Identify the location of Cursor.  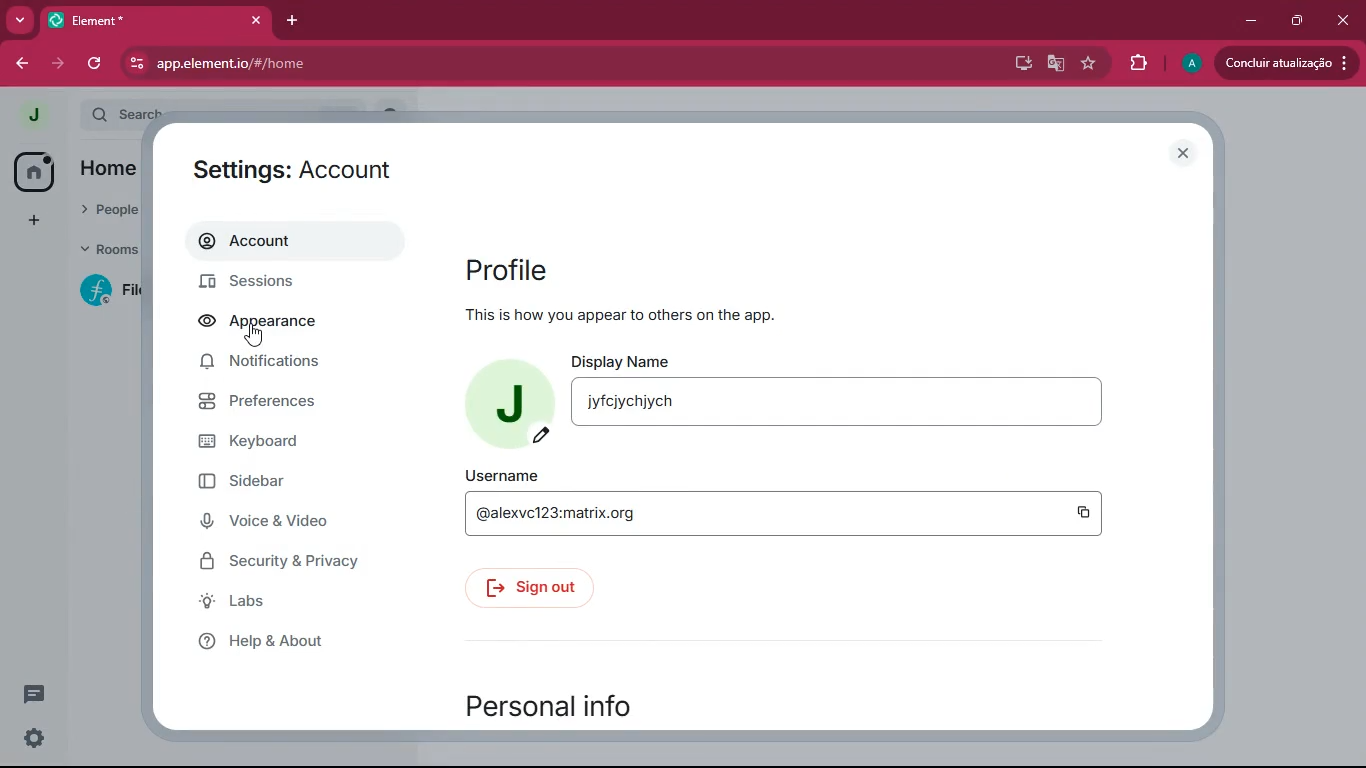
(255, 337).